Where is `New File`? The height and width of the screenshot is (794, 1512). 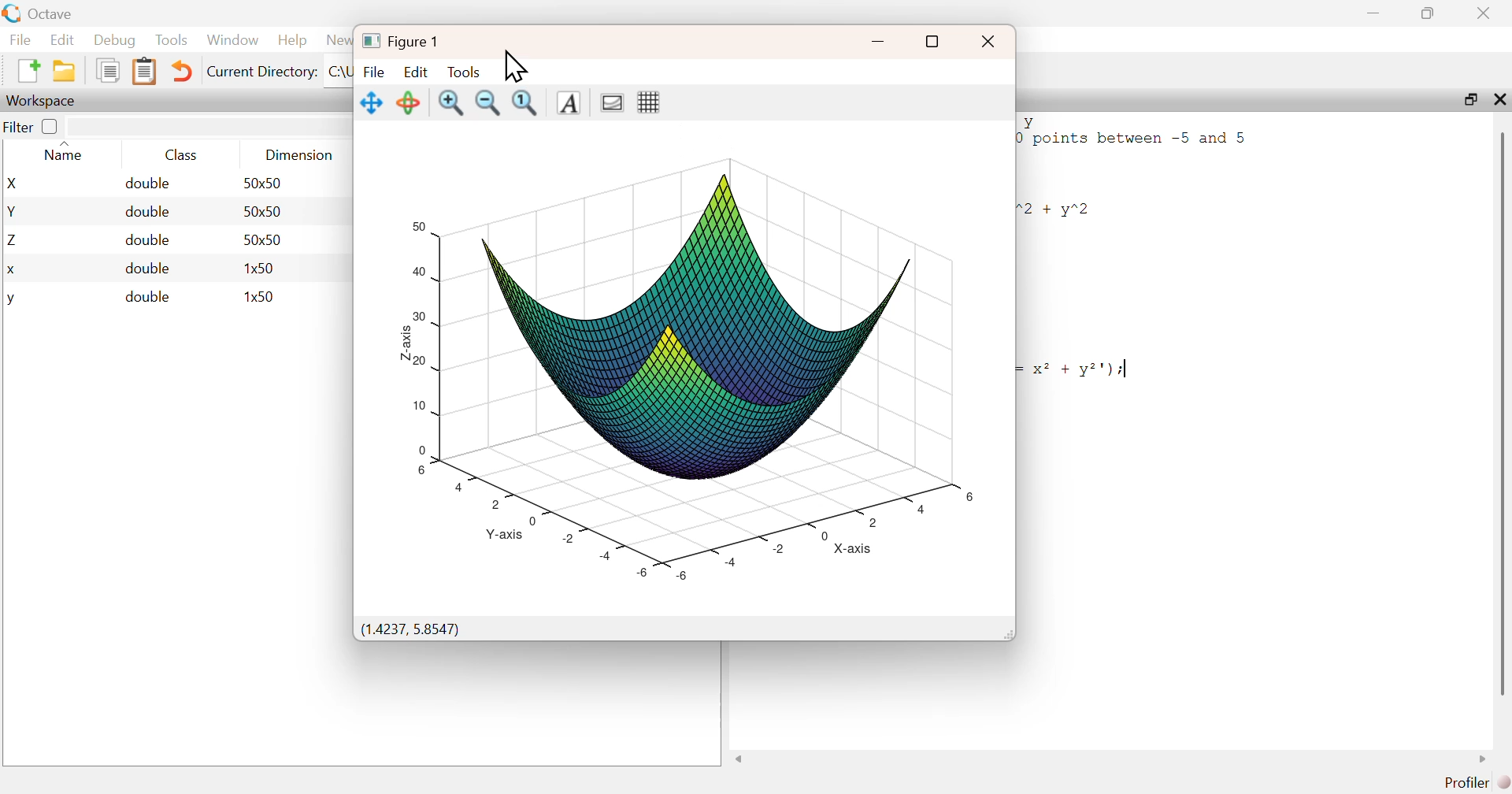
New File is located at coordinates (28, 71).